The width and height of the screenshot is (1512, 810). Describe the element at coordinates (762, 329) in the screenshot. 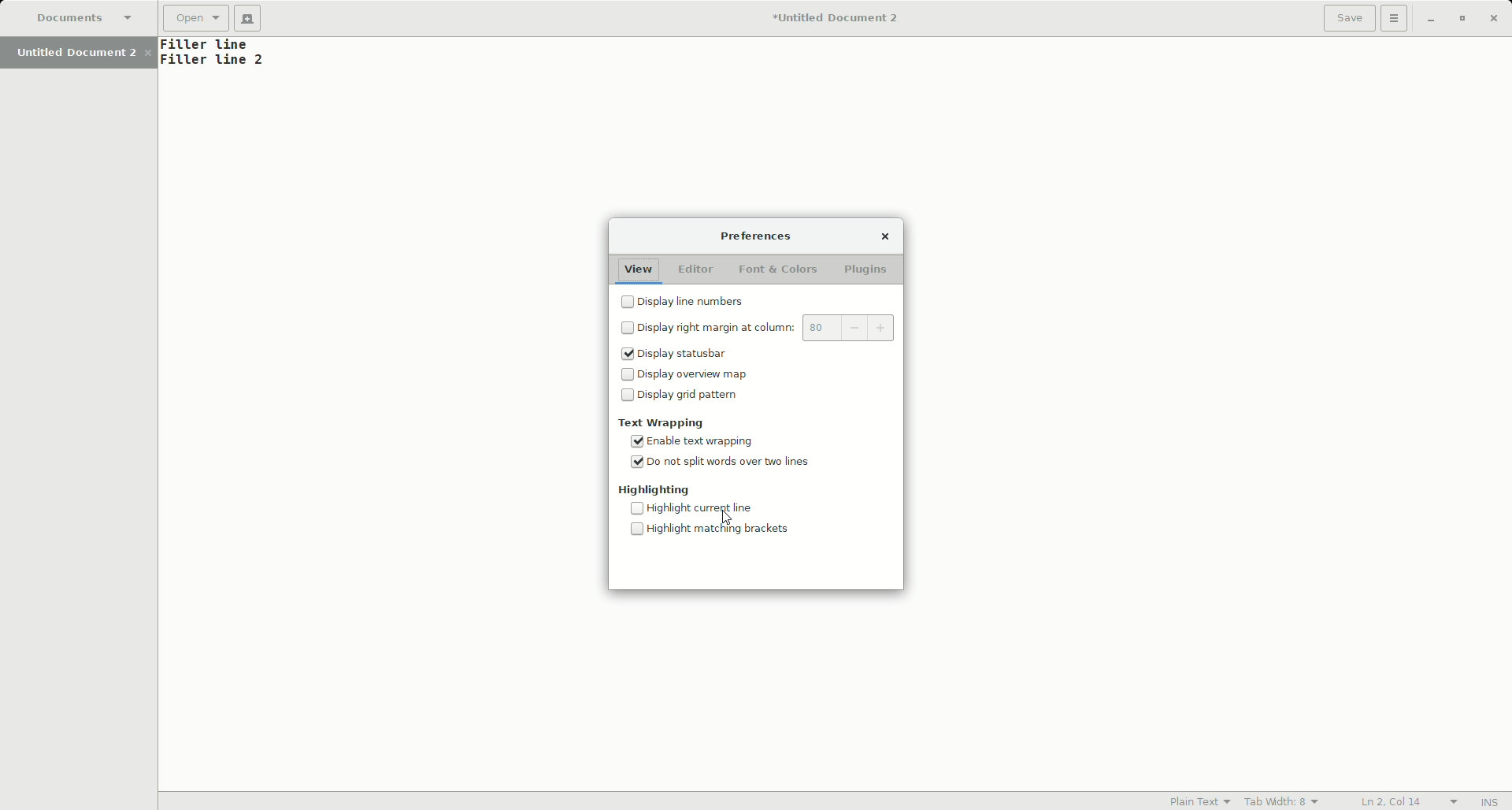

I see `Display right margin` at that location.